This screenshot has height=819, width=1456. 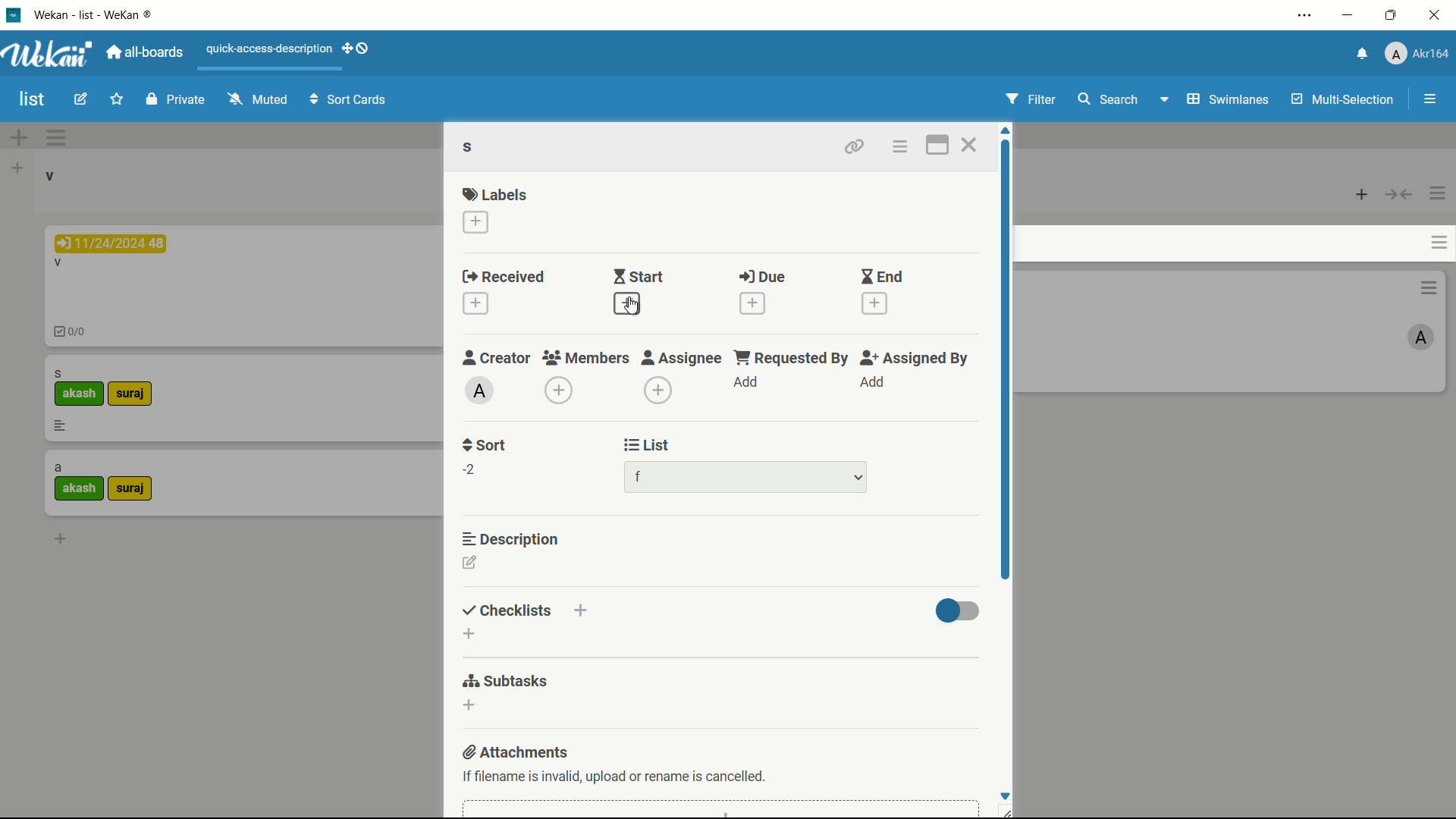 I want to click on label-1, so click(x=80, y=394).